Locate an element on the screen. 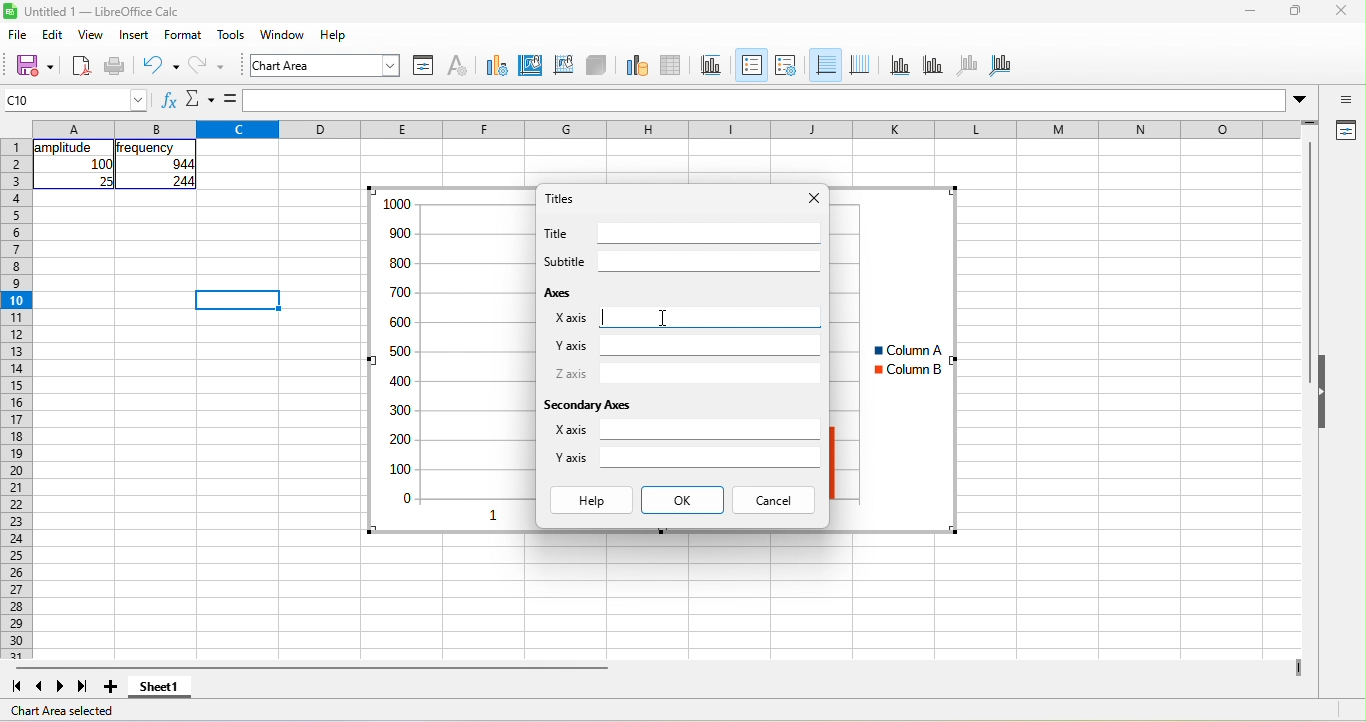  first sheet is located at coordinates (16, 687).